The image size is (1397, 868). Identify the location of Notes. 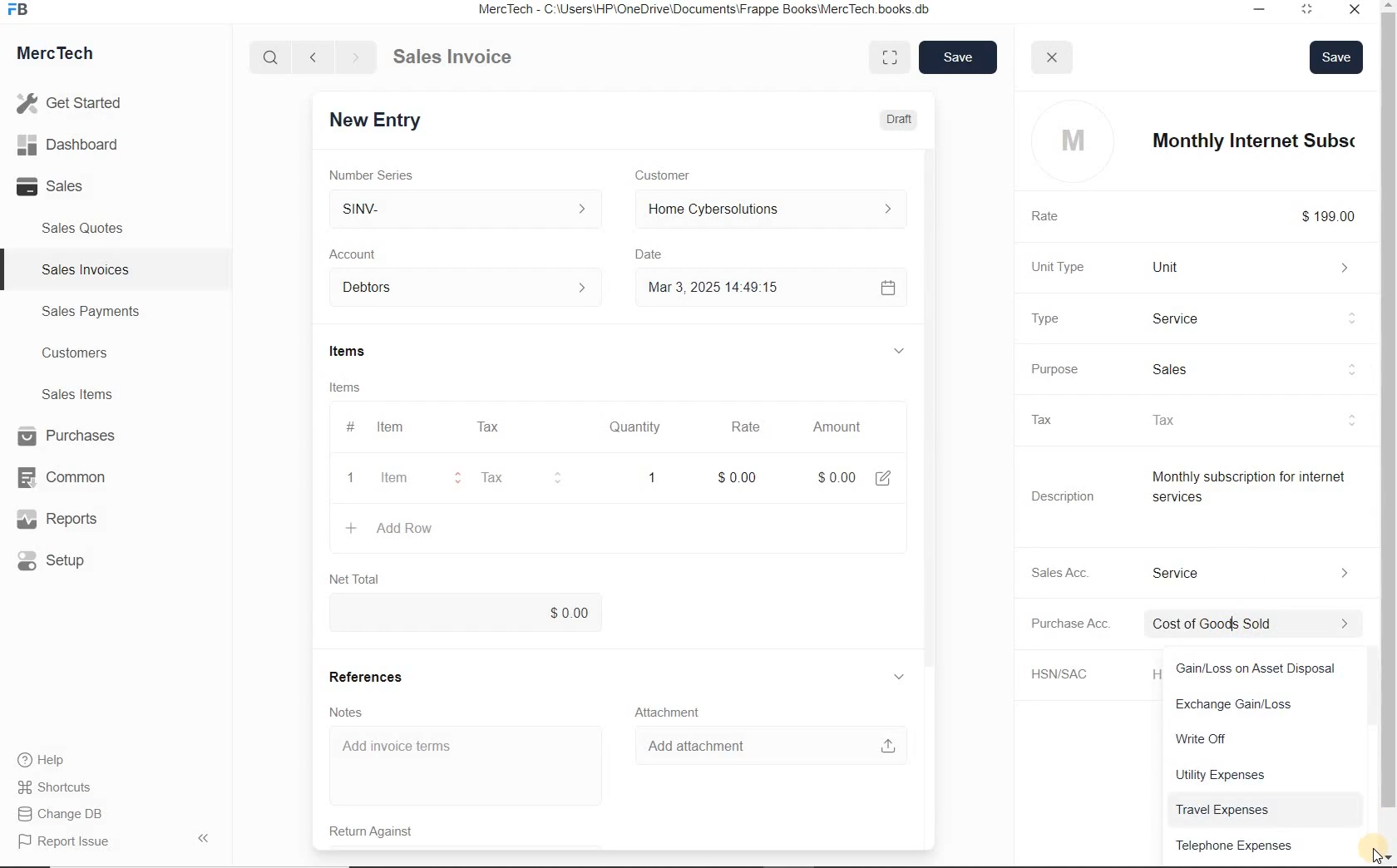
(359, 711).